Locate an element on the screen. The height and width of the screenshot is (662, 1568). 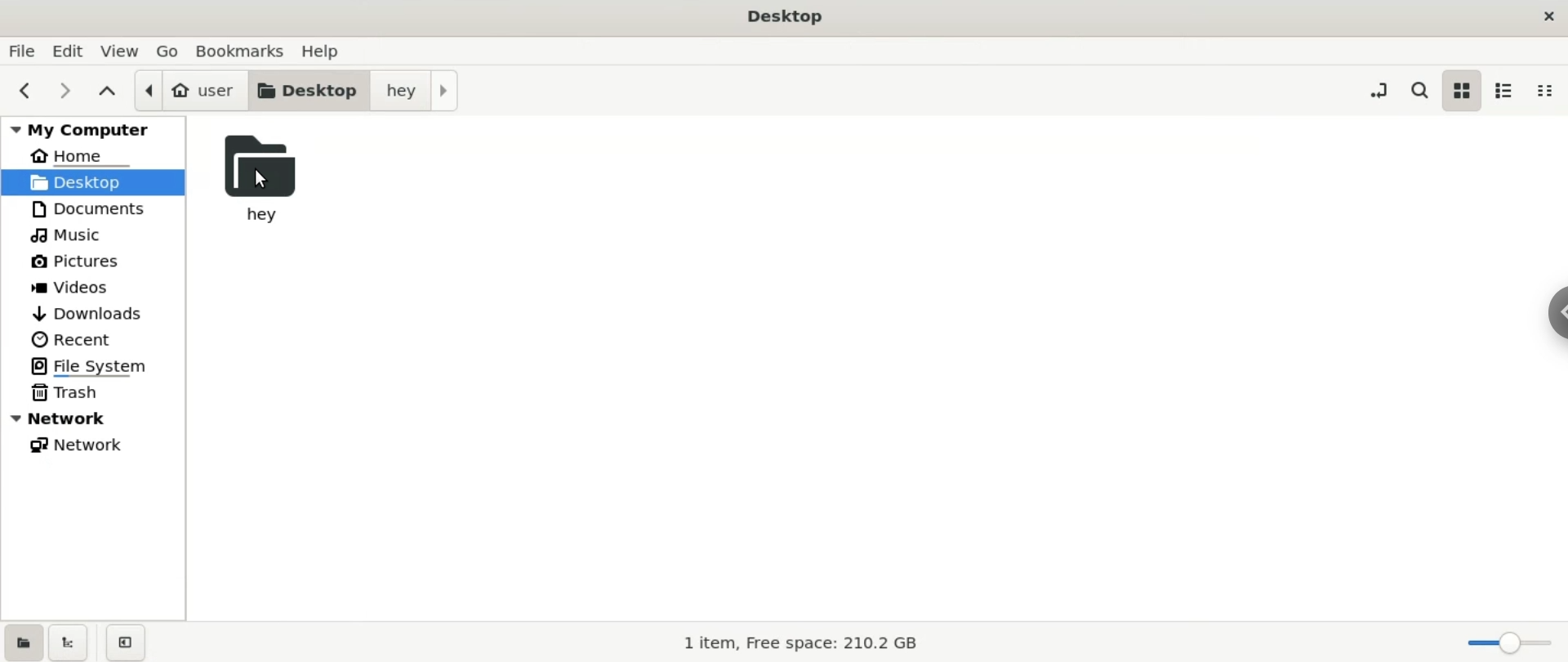
hey is located at coordinates (260, 179).